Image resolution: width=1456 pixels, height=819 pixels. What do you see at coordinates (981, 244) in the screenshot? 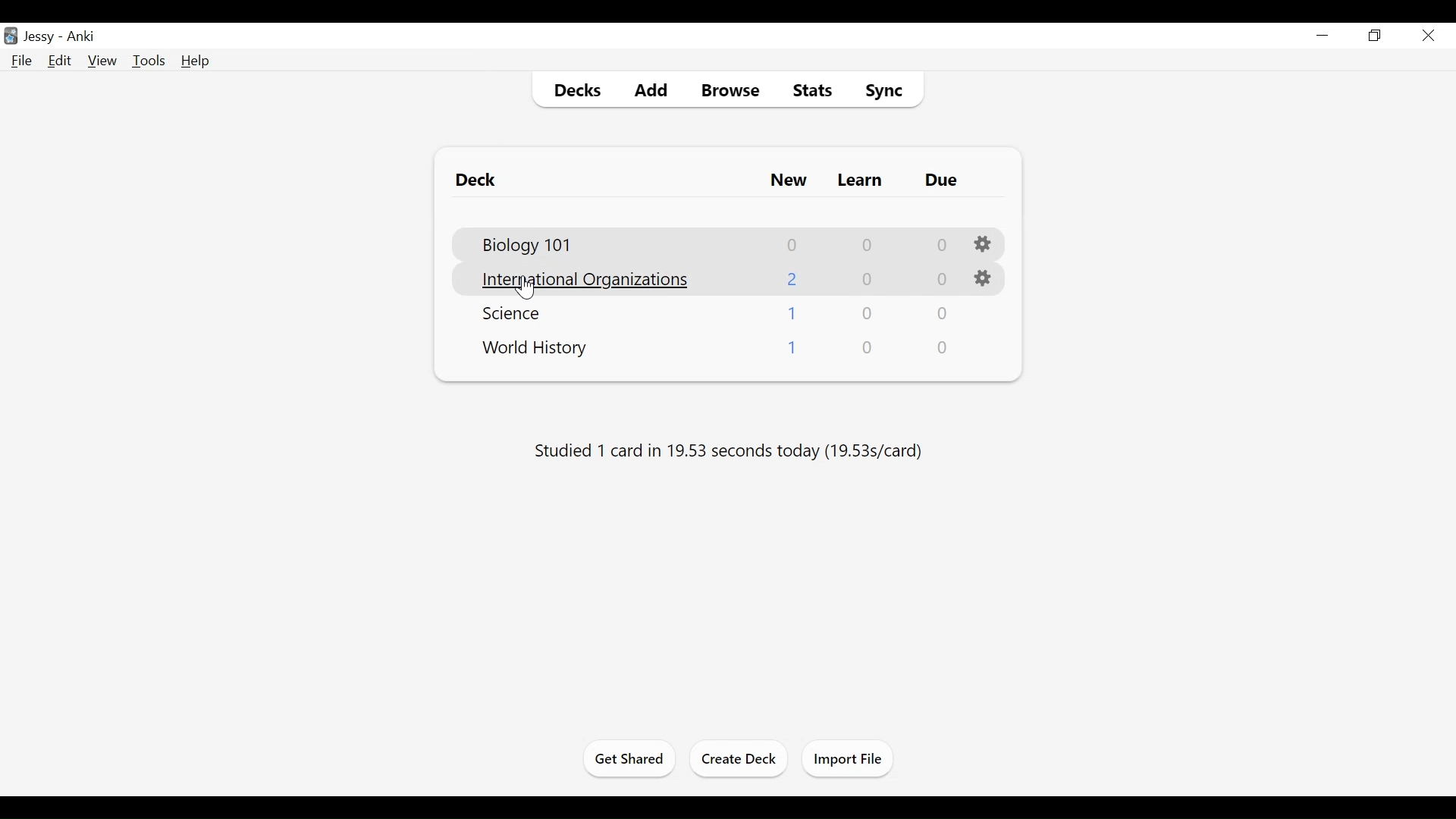
I see `Options` at bounding box center [981, 244].